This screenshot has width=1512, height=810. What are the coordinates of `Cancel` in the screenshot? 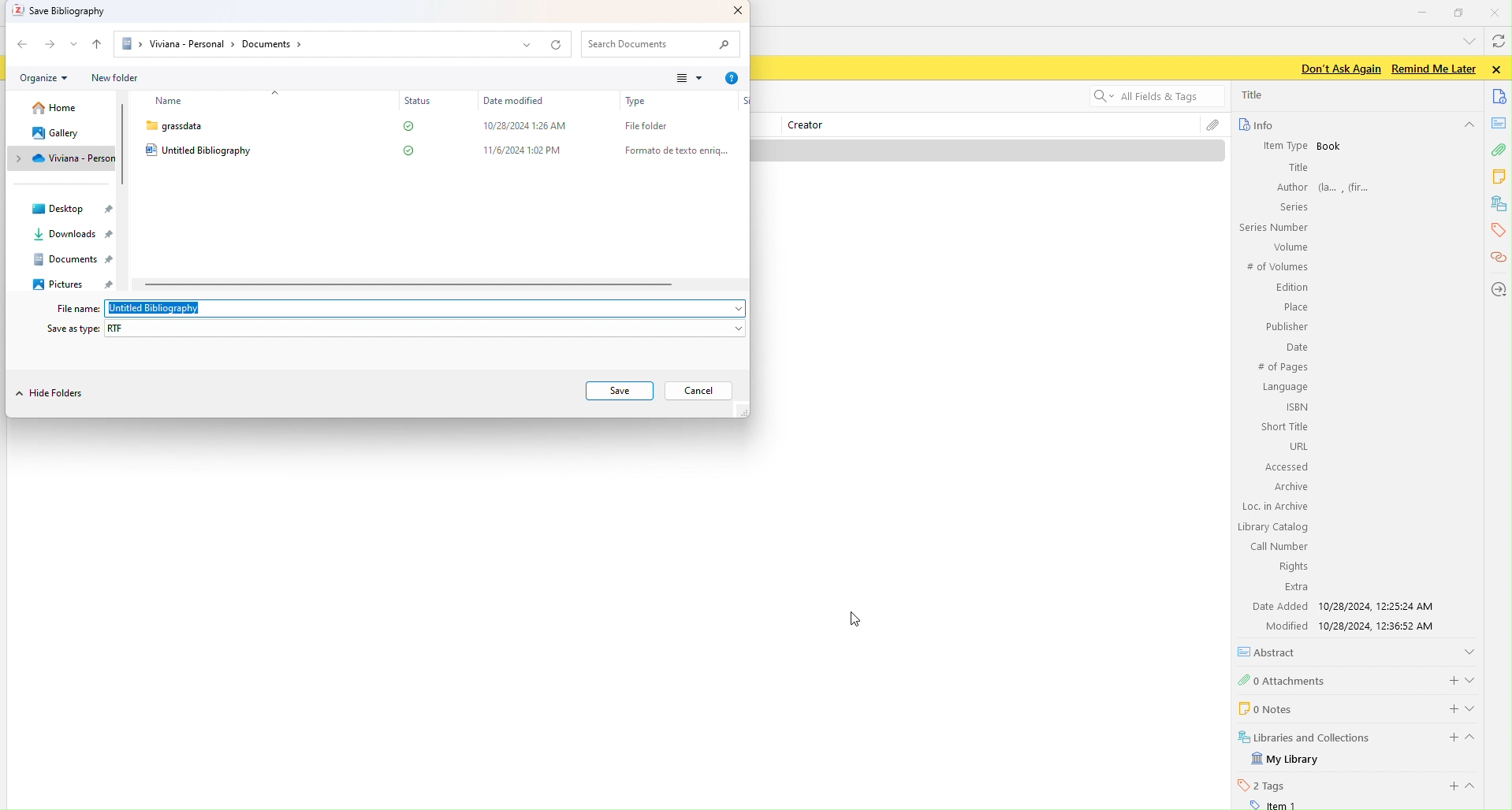 It's located at (700, 390).